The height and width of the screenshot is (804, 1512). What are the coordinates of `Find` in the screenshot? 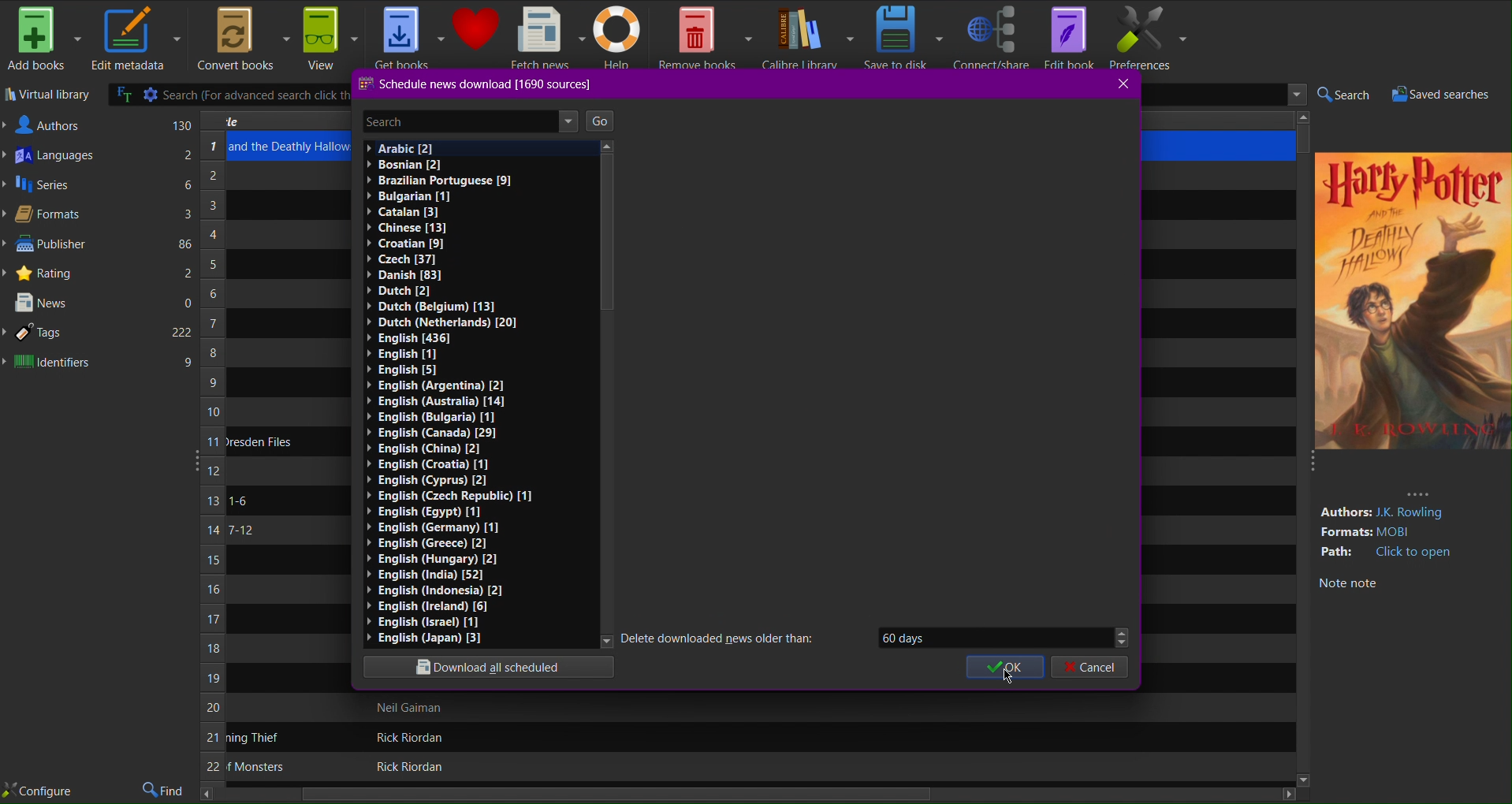 It's located at (165, 791).